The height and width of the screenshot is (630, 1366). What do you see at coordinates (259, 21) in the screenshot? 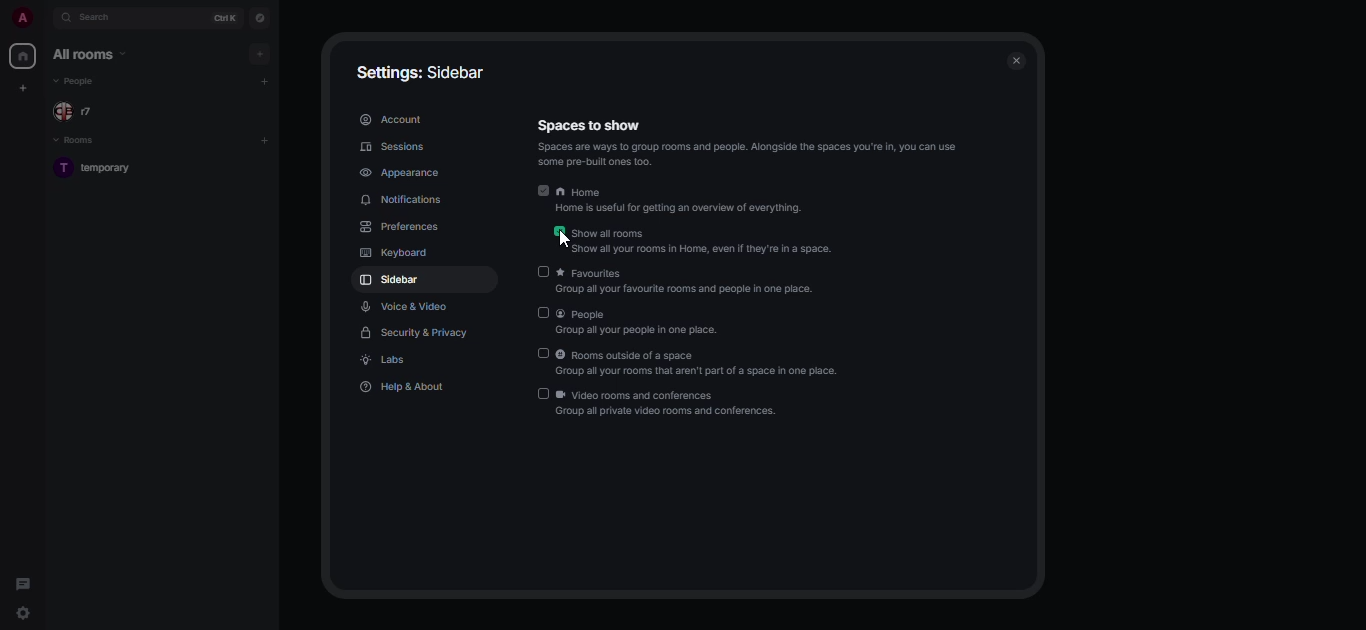
I see `navigator` at bounding box center [259, 21].